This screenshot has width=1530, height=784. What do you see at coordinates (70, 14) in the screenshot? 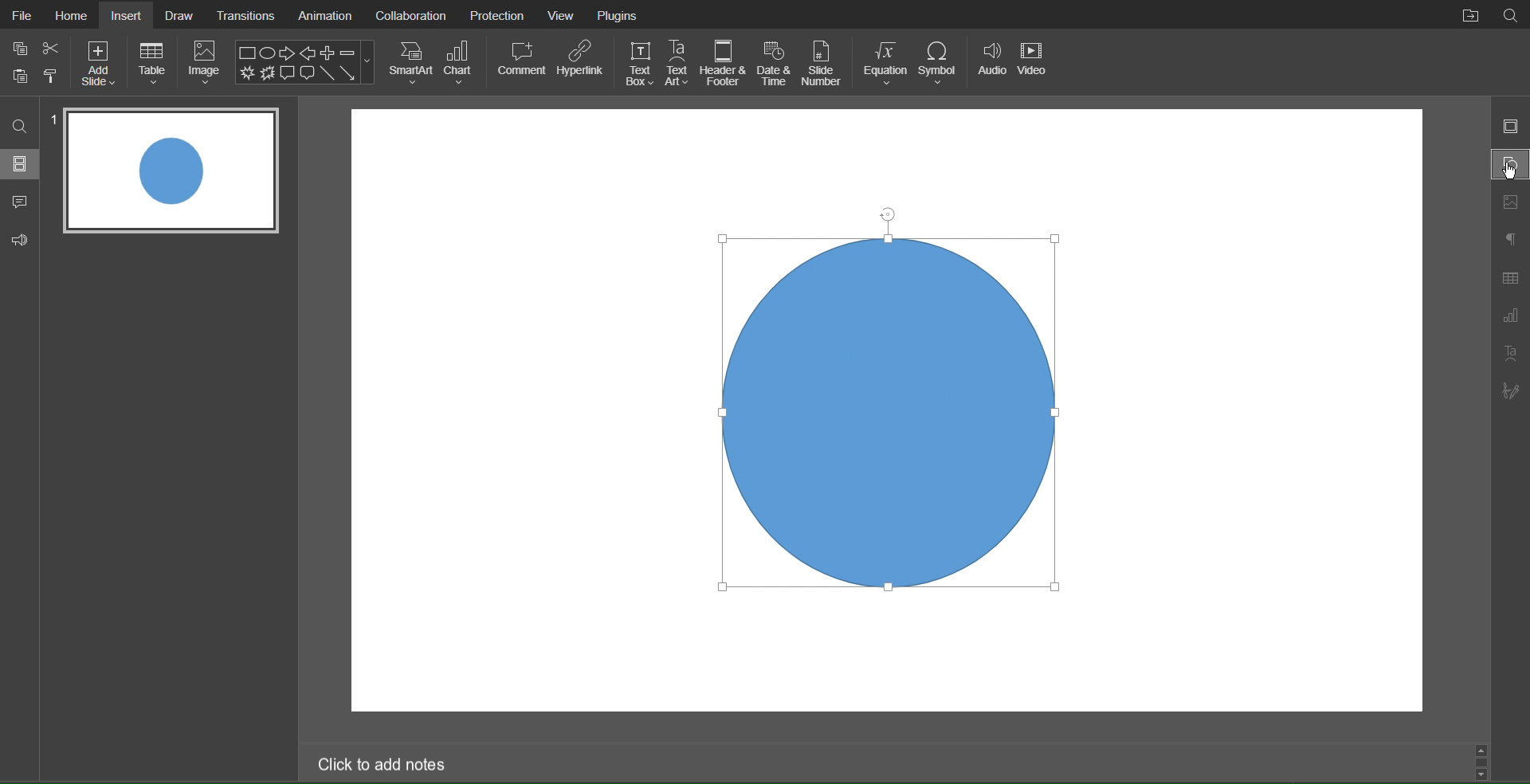
I see `Home` at bounding box center [70, 14].